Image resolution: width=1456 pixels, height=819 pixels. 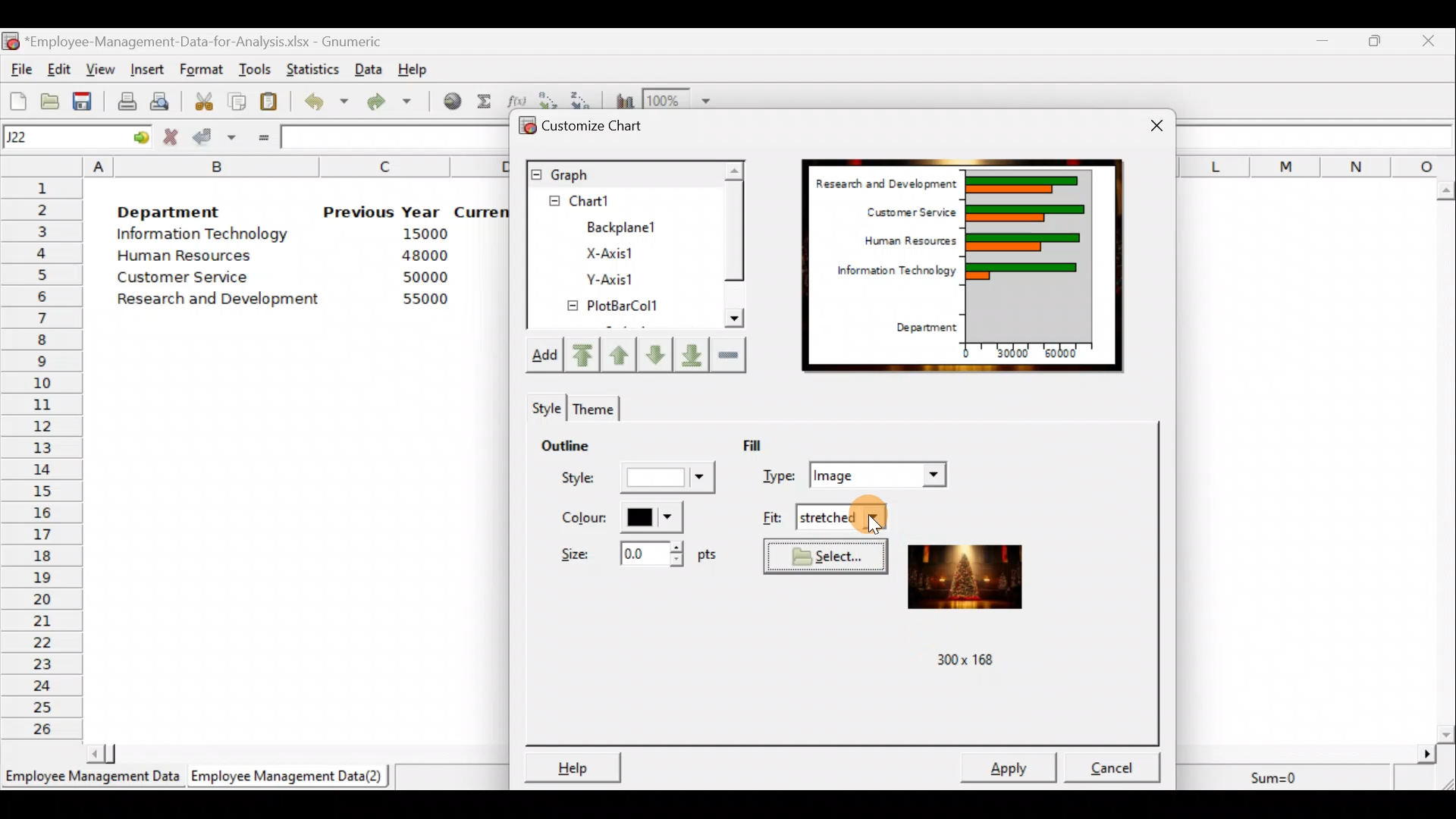 I want to click on Select, so click(x=827, y=556).